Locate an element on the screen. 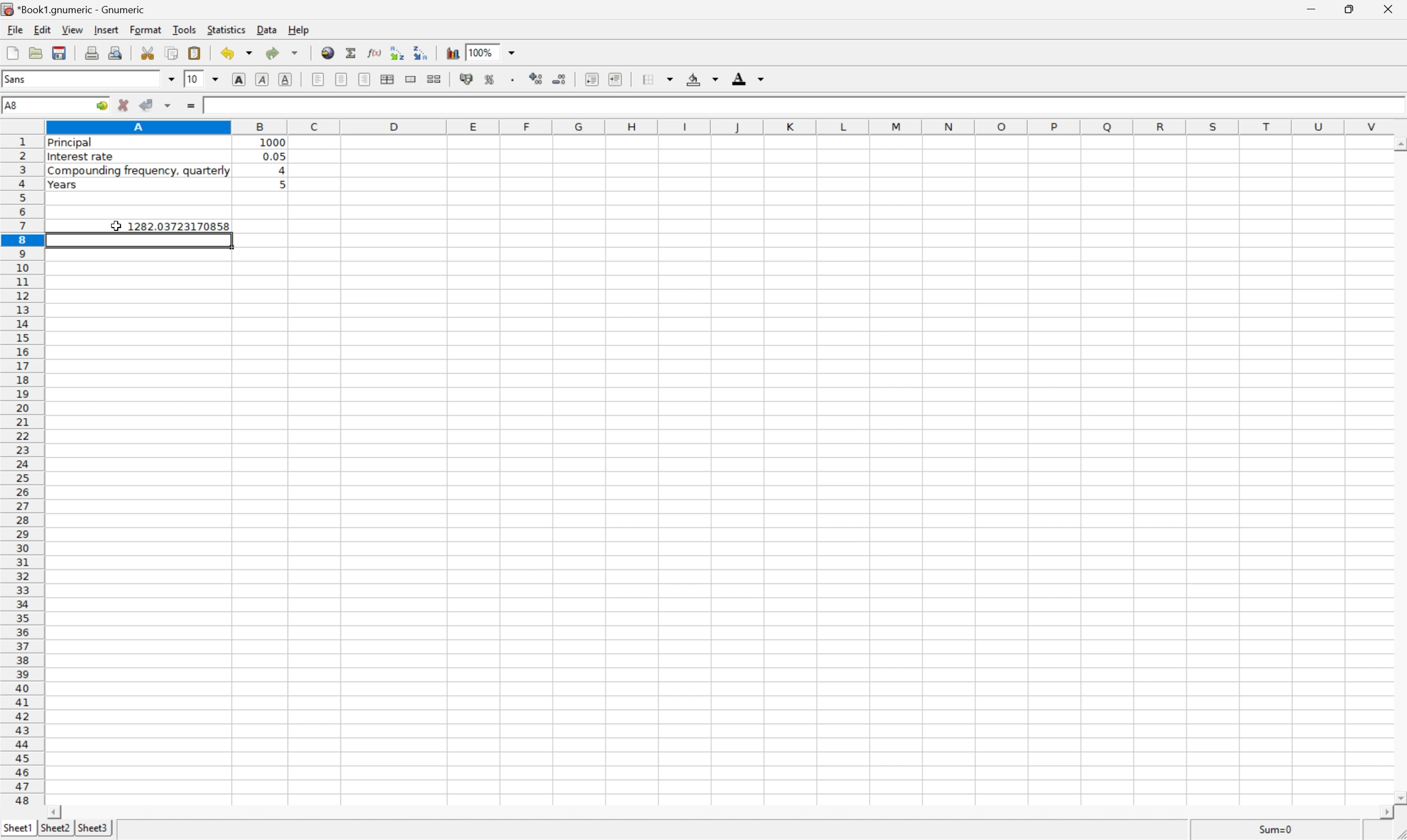 The image size is (1407, 840). 1000 is located at coordinates (275, 143).